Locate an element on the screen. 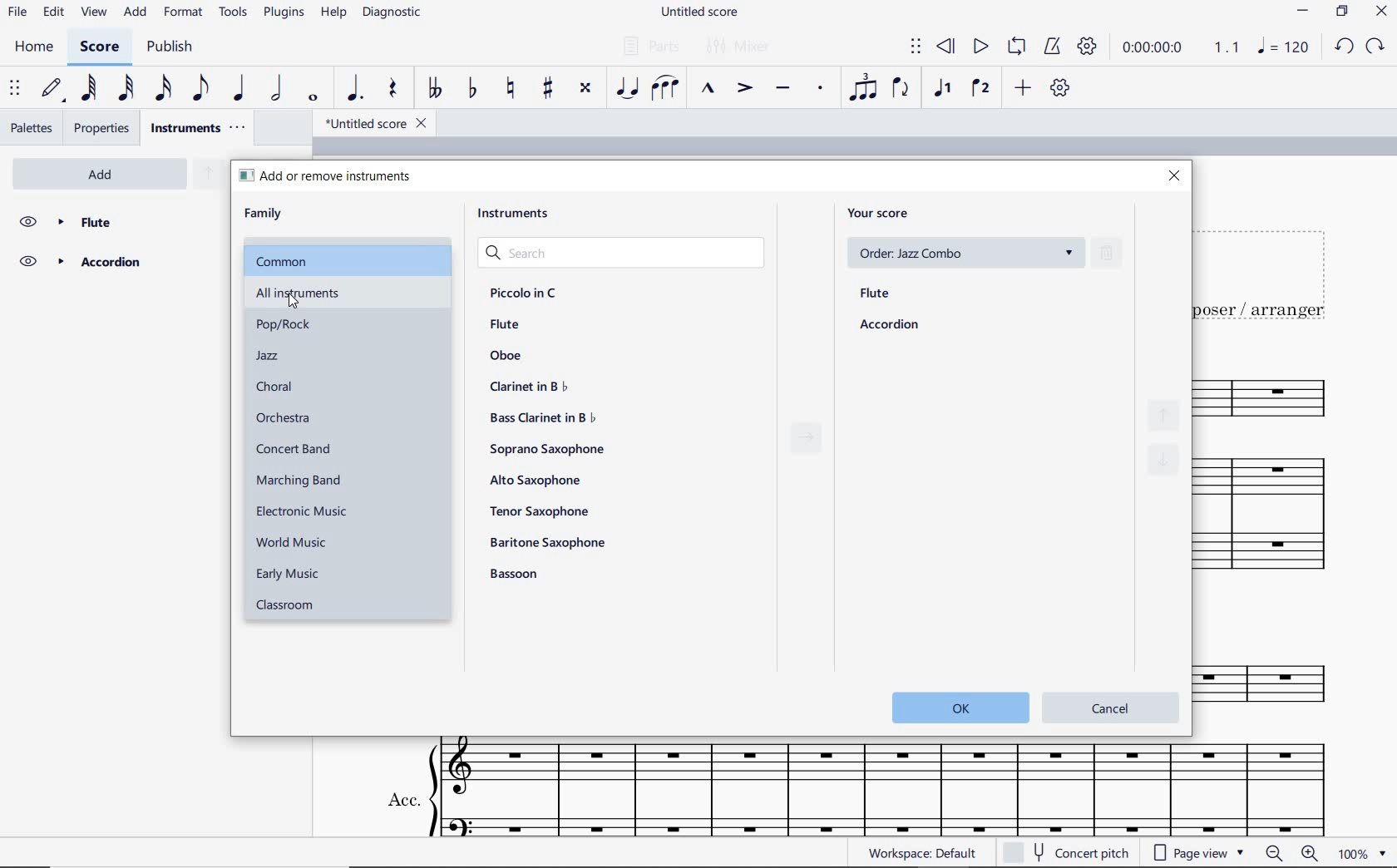  32nd note is located at coordinates (125, 89).